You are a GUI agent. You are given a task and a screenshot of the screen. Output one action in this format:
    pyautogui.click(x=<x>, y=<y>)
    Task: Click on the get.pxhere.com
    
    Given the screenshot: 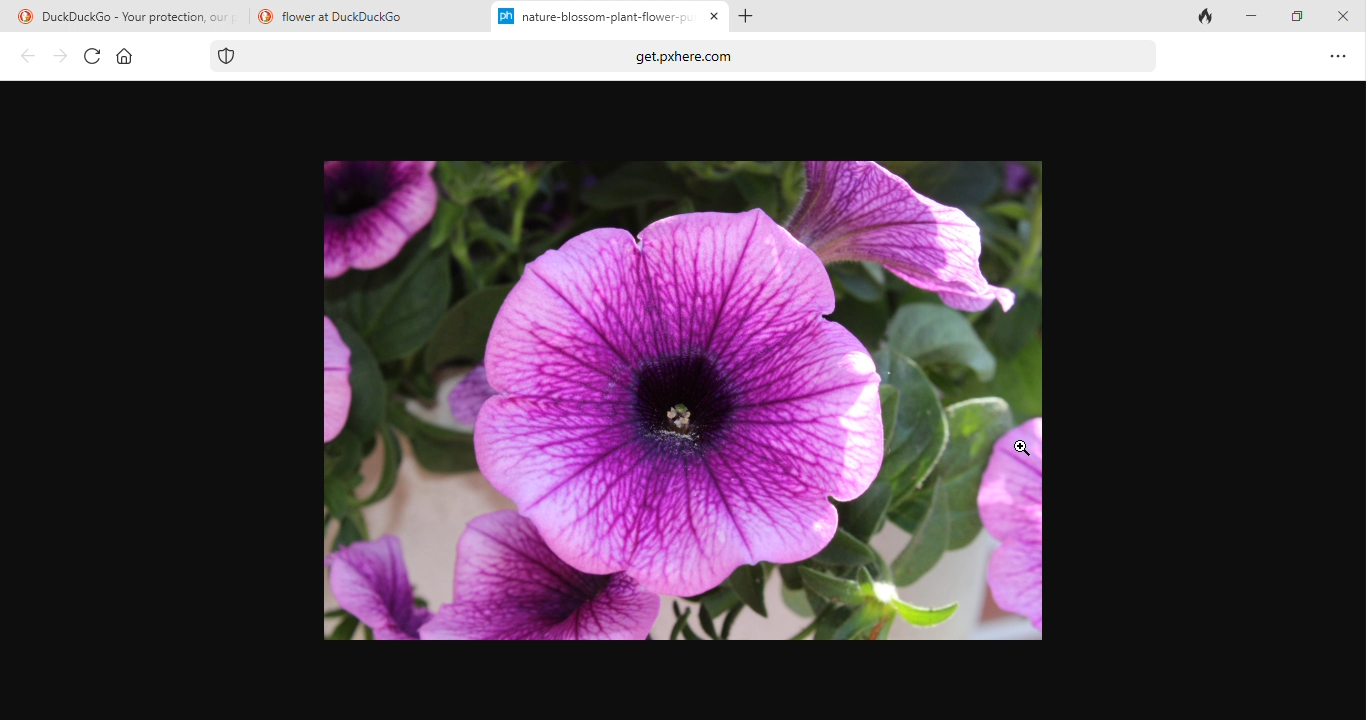 What is the action you would take?
    pyautogui.click(x=654, y=60)
    